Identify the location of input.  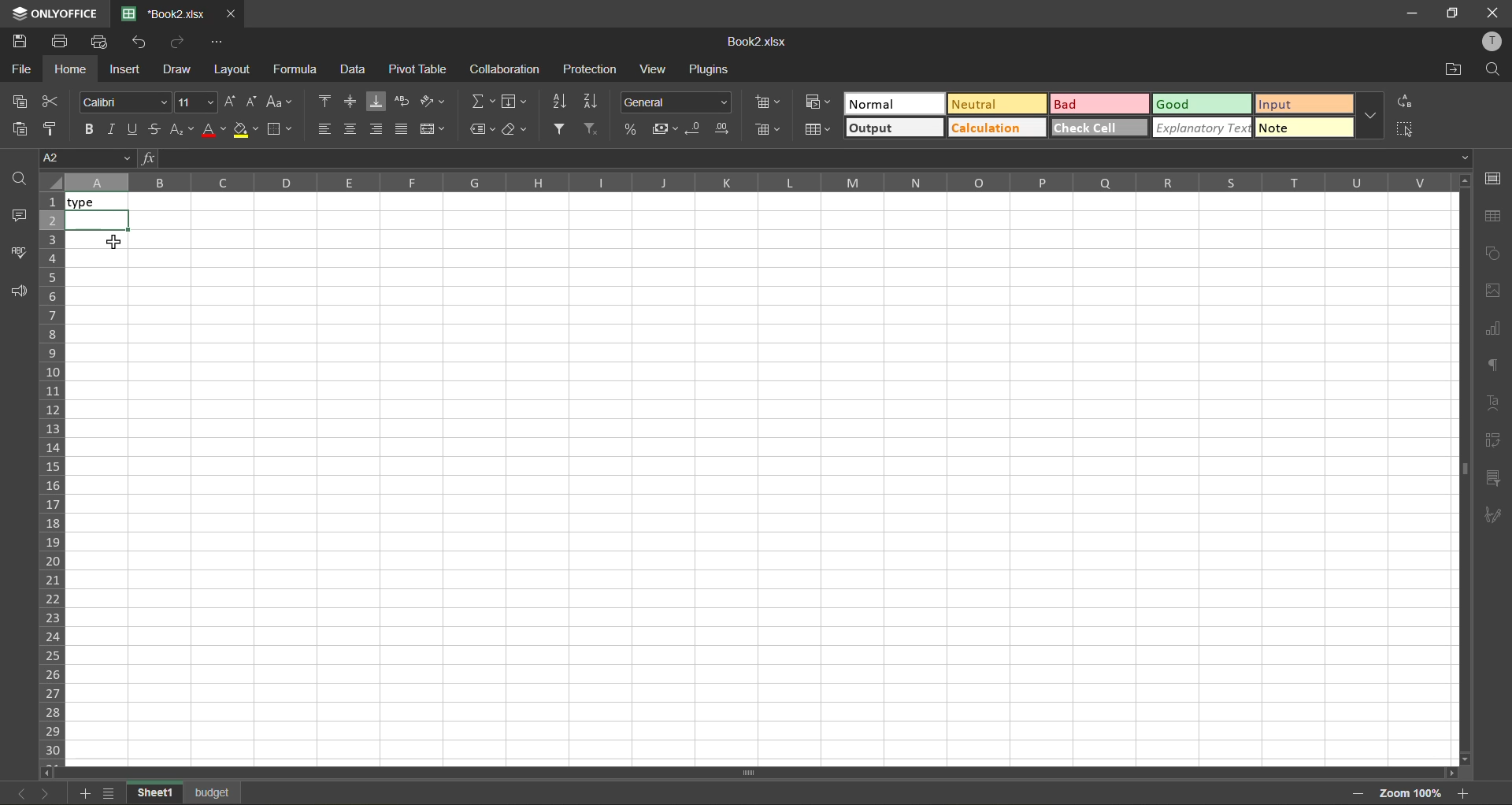
(1299, 104).